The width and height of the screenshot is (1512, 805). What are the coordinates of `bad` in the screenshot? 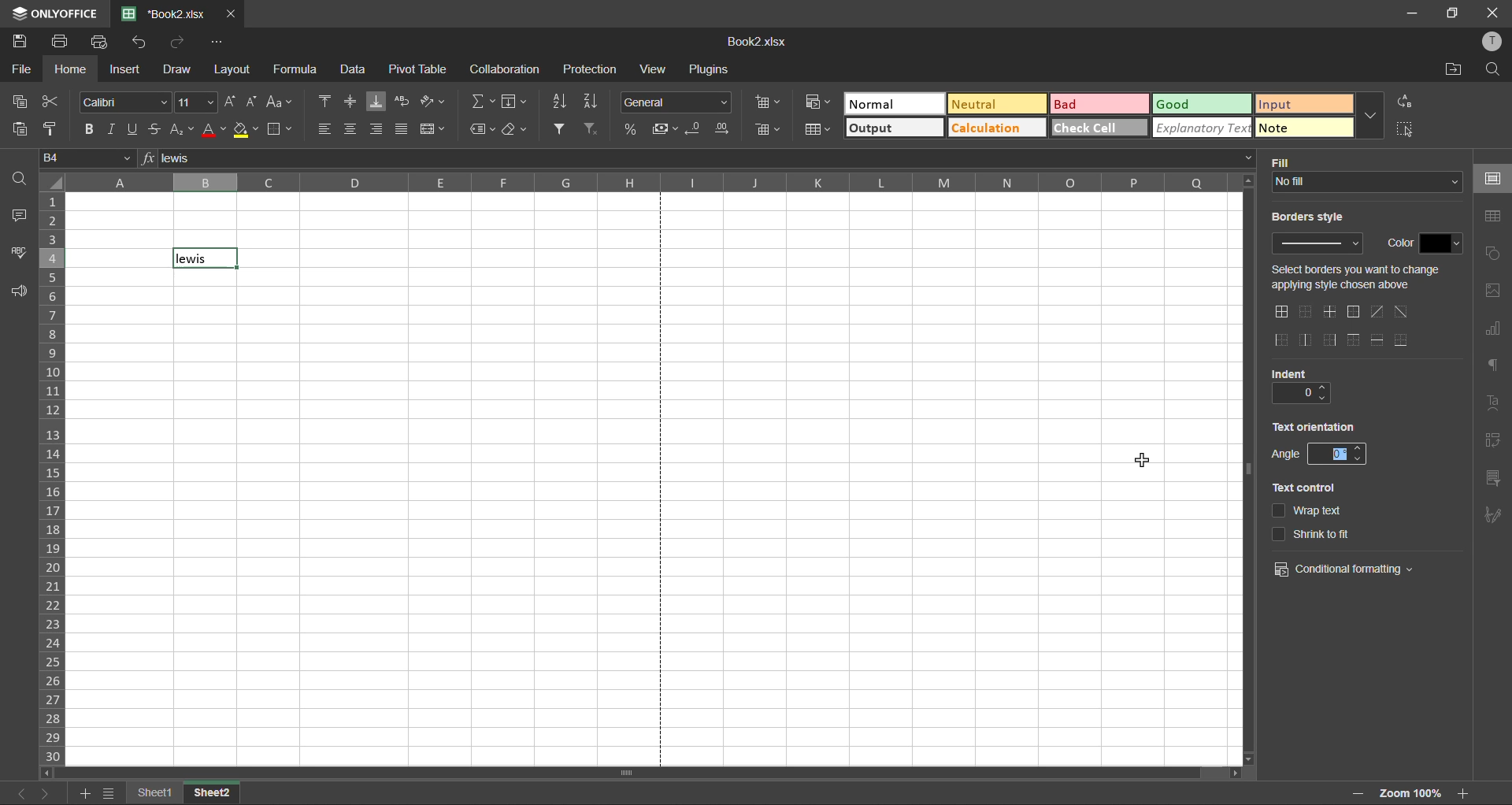 It's located at (1096, 104).